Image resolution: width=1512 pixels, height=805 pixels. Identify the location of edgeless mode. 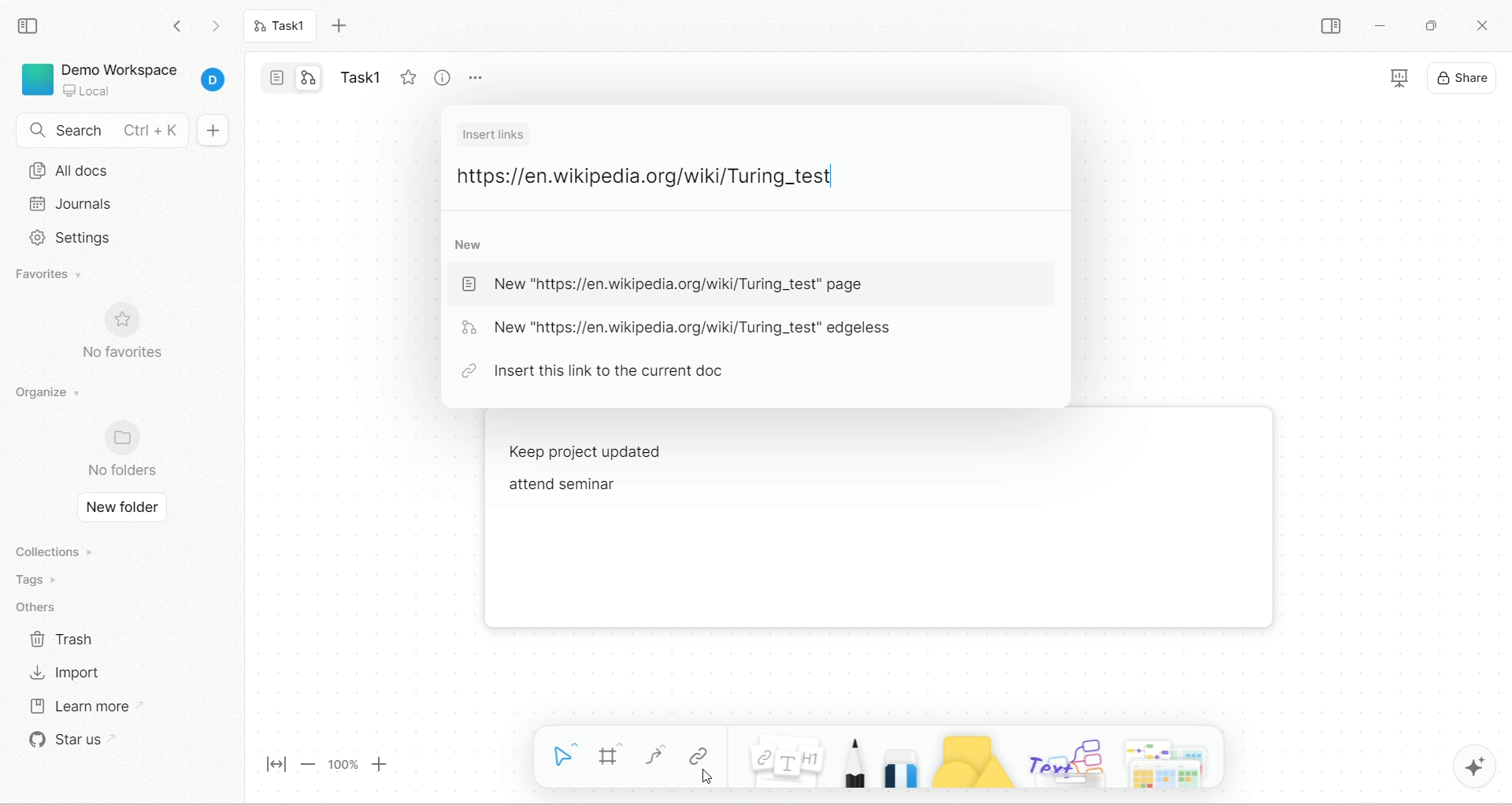
(308, 78).